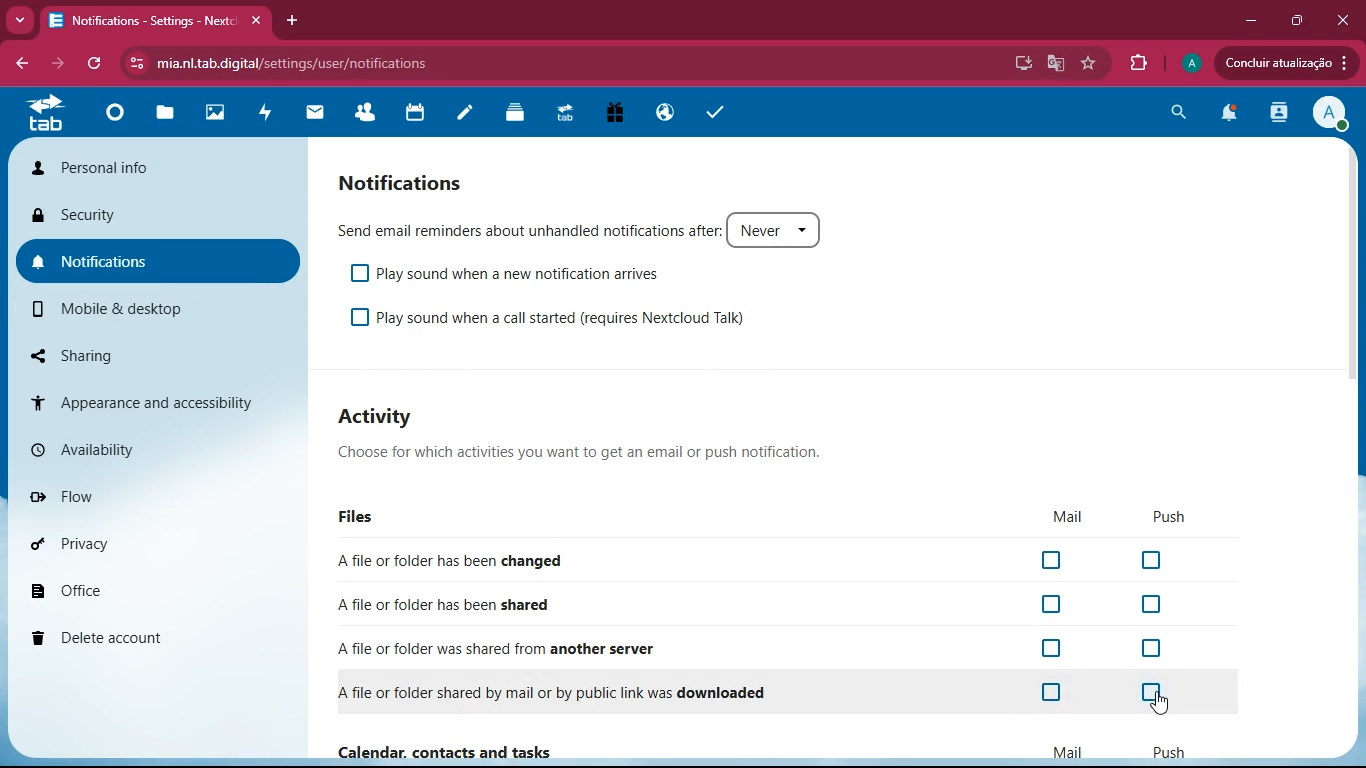 This screenshot has height=768, width=1366. Describe the element at coordinates (38, 112) in the screenshot. I see `tab` at that location.